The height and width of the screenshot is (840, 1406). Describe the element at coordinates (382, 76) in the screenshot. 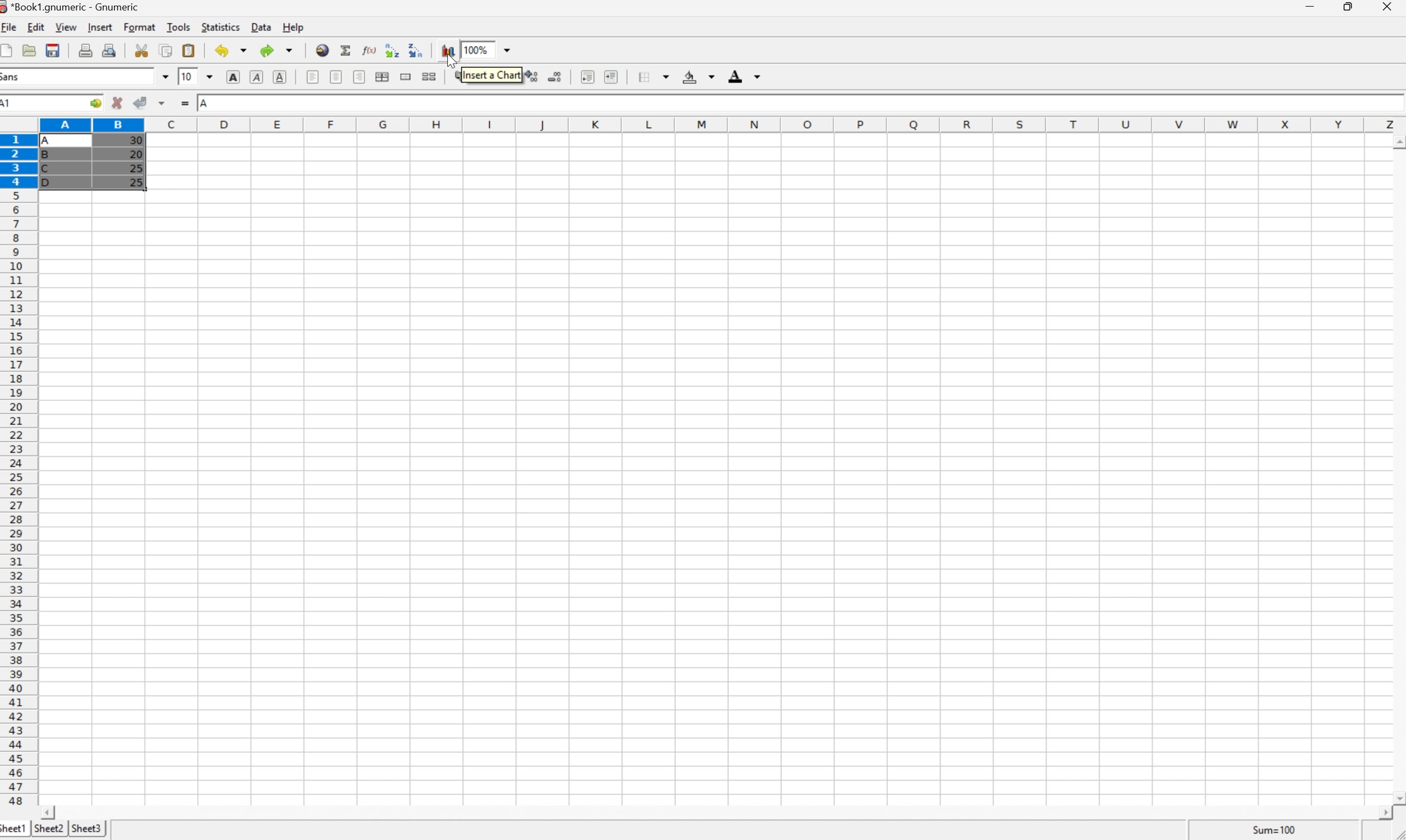

I see `Merge horizontally across the selection` at that location.